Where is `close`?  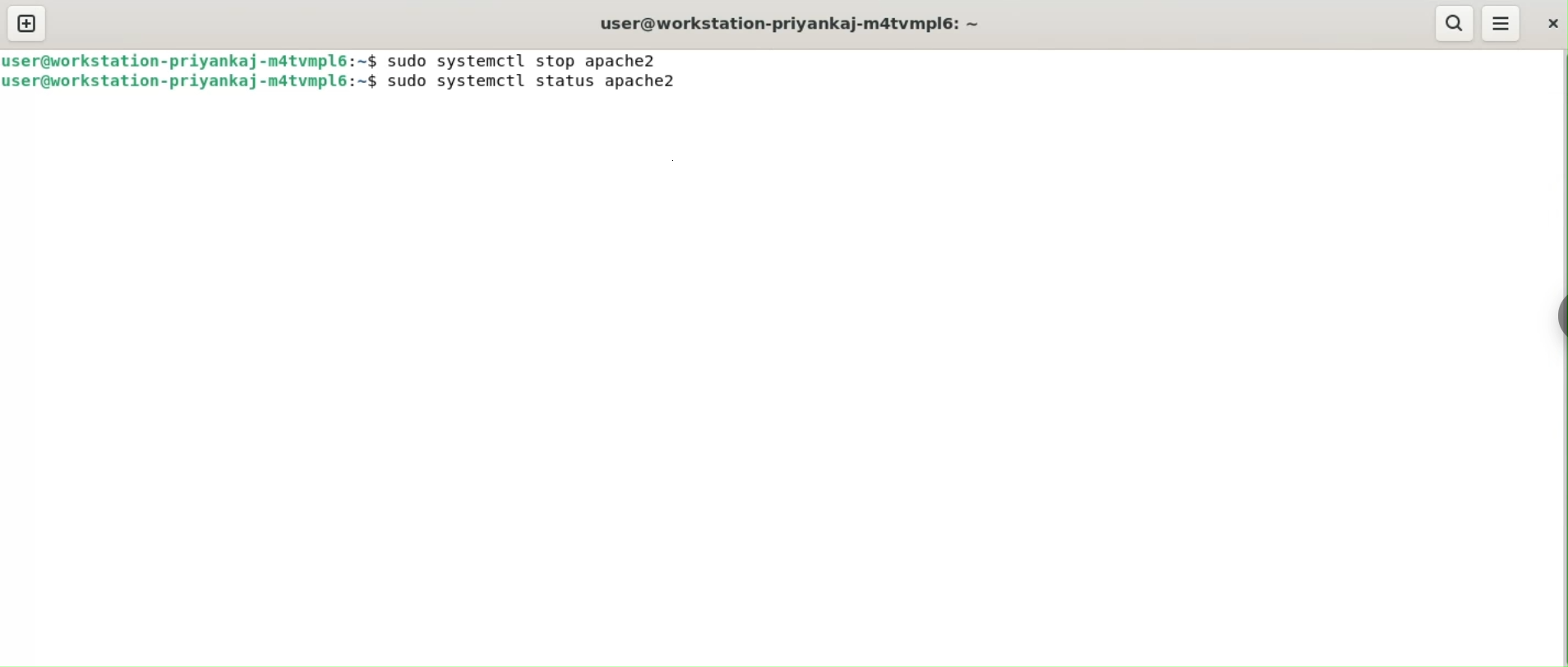
close is located at coordinates (1551, 24).